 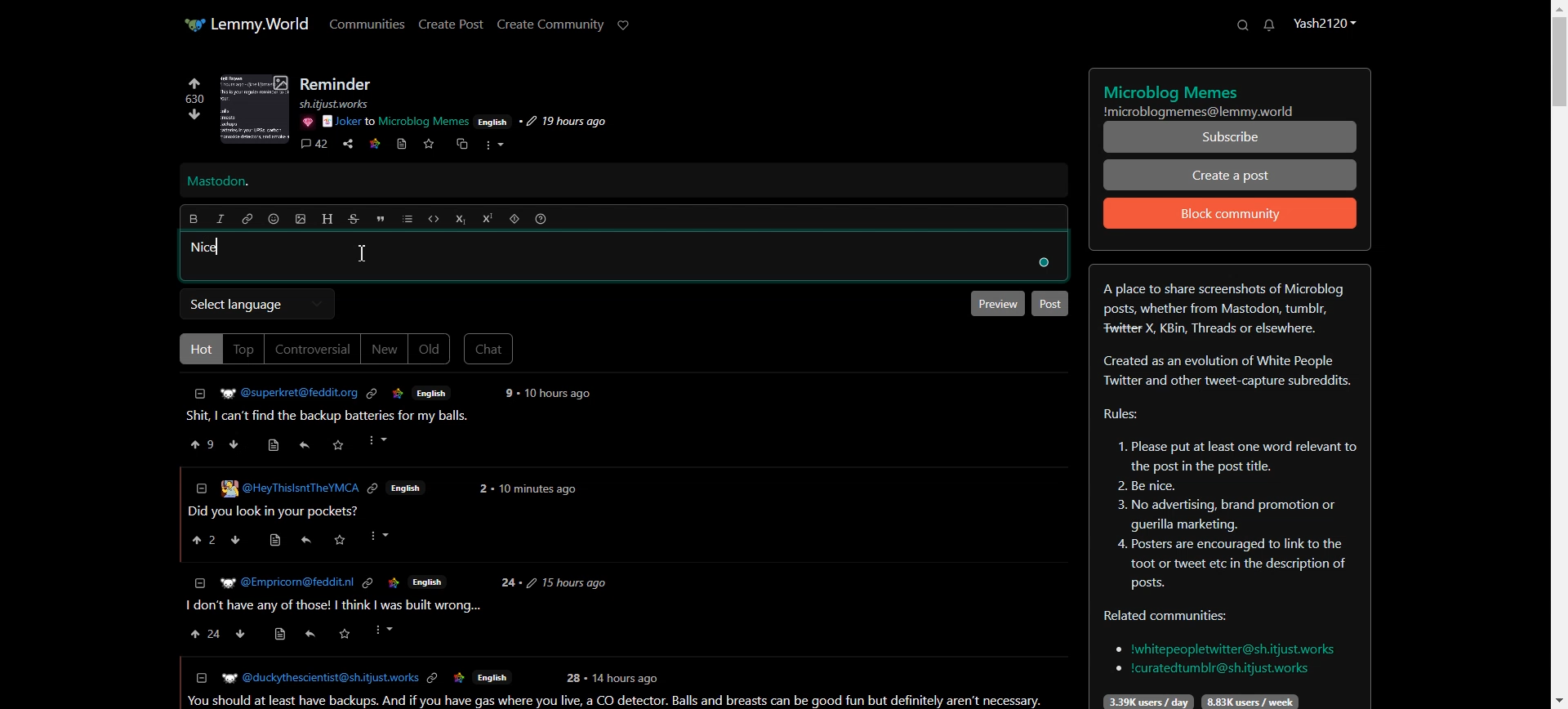 What do you see at coordinates (428, 581) in the screenshot?
I see `` at bounding box center [428, 581].